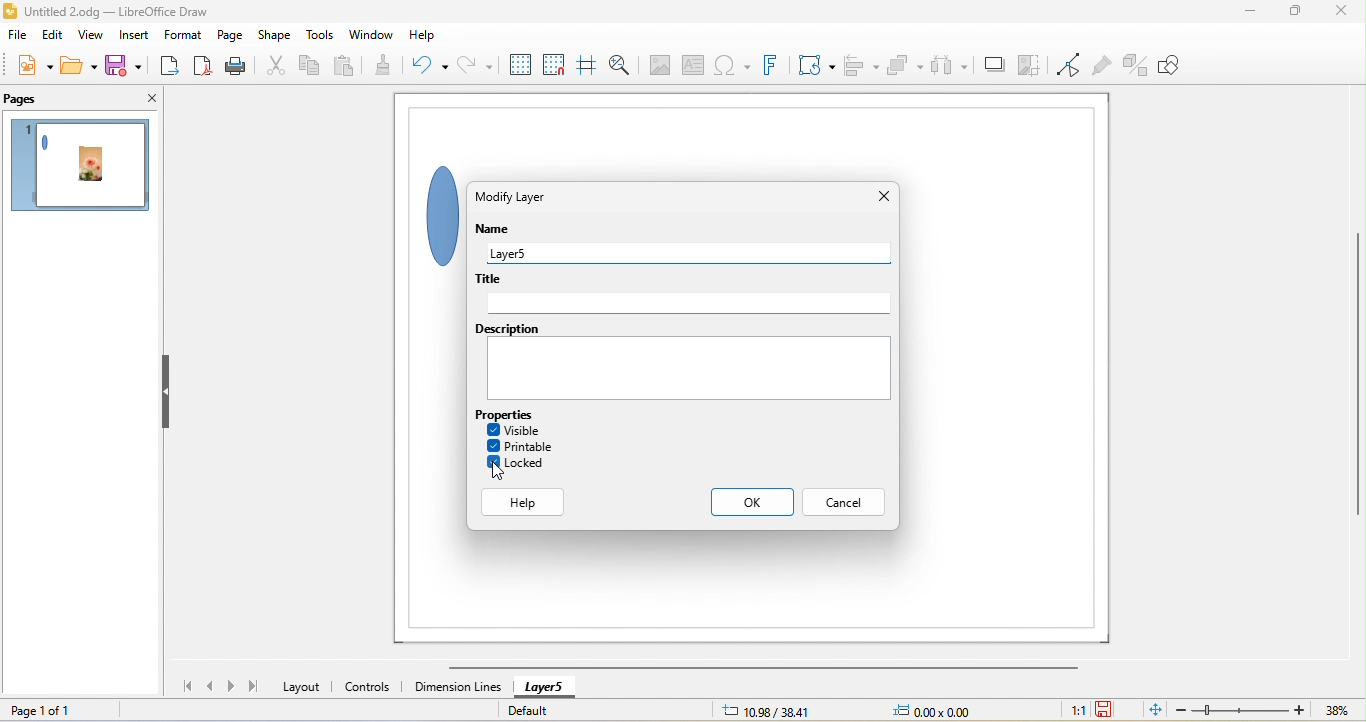 The width and height of the screenshot is (1366, 722). I want to click on image, so click(657, 65).